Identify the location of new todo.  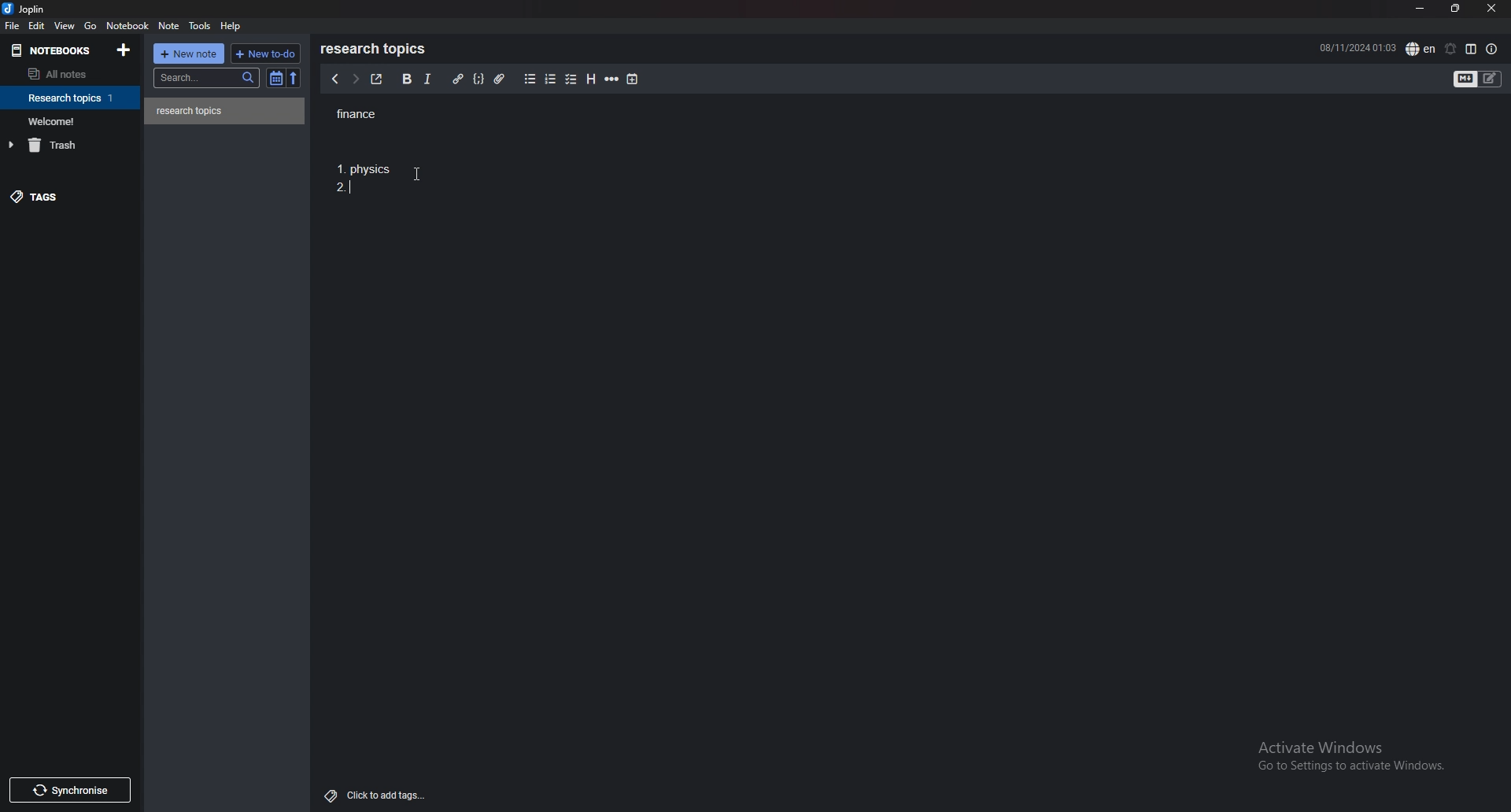
(265, 53).